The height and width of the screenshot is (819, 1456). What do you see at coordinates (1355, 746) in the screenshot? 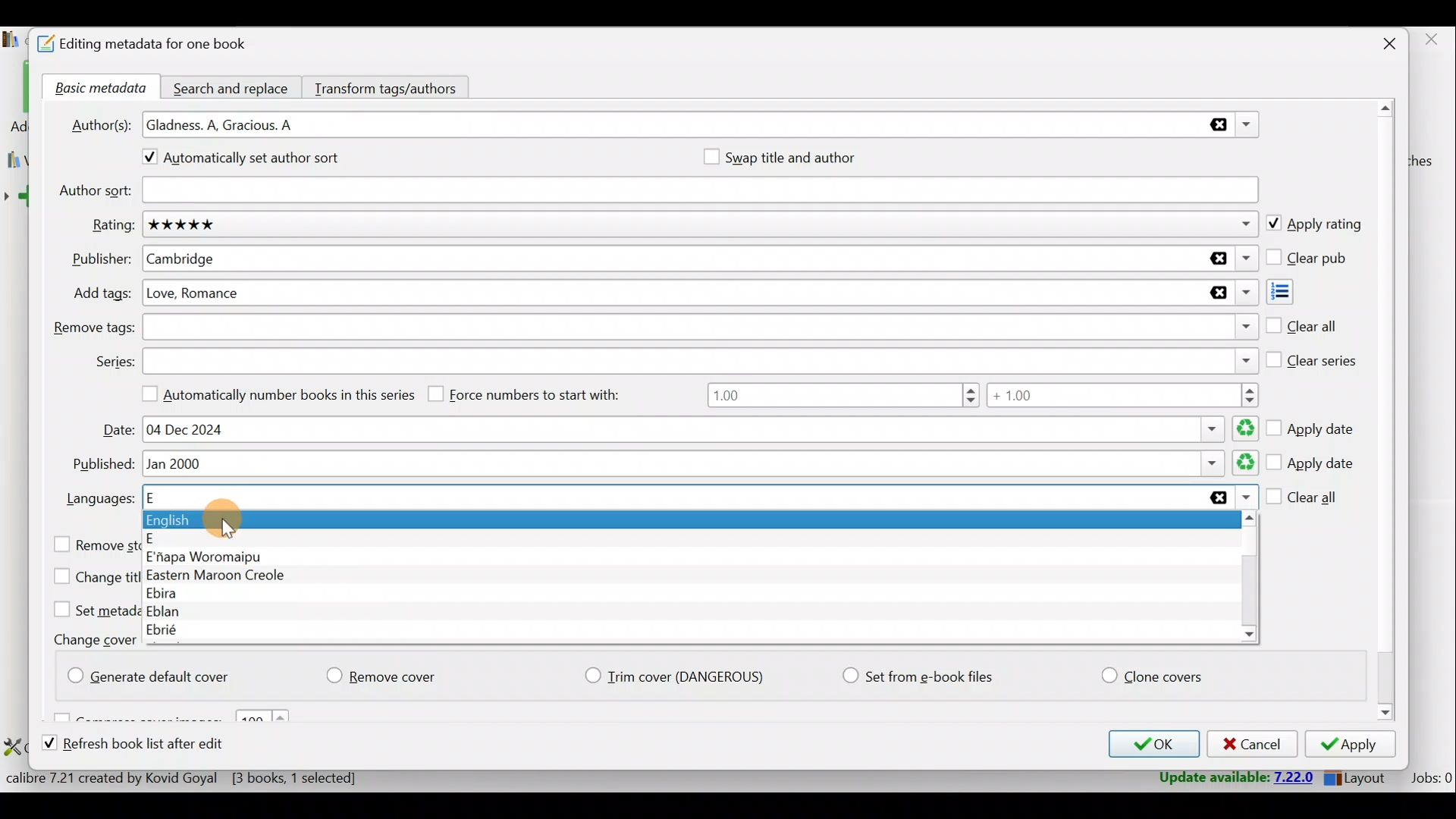
I see `Apply` at bounding box center [1355, 746].